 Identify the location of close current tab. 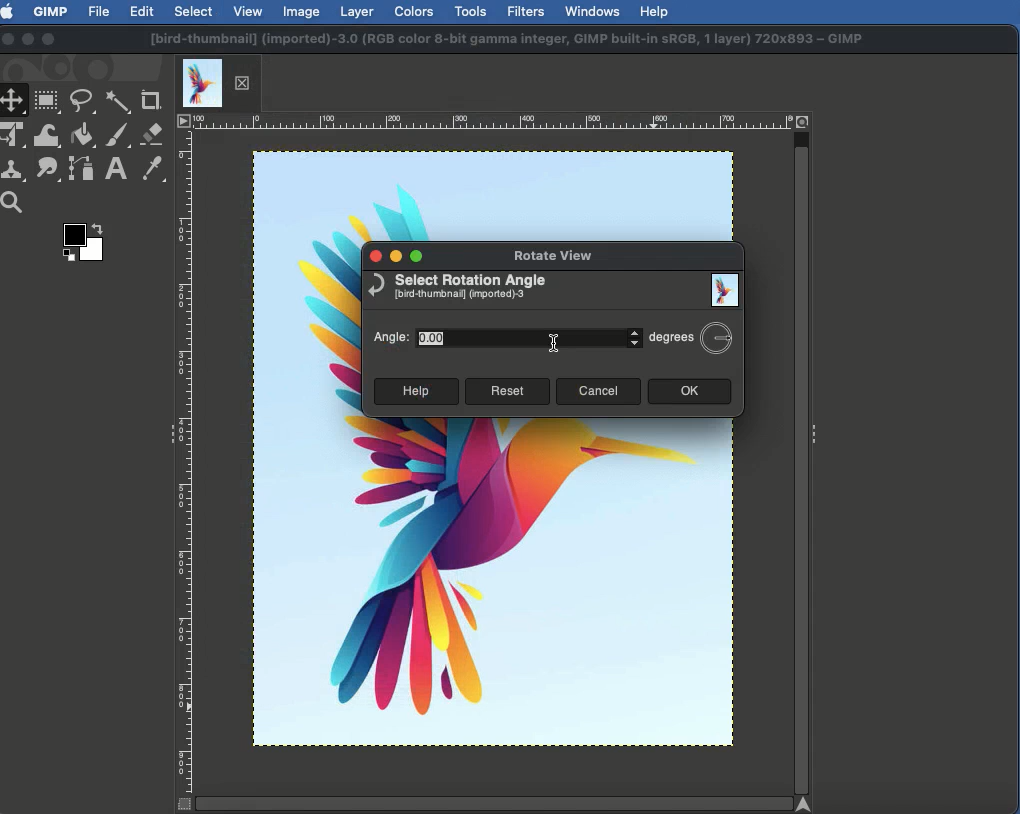
(247, 83).